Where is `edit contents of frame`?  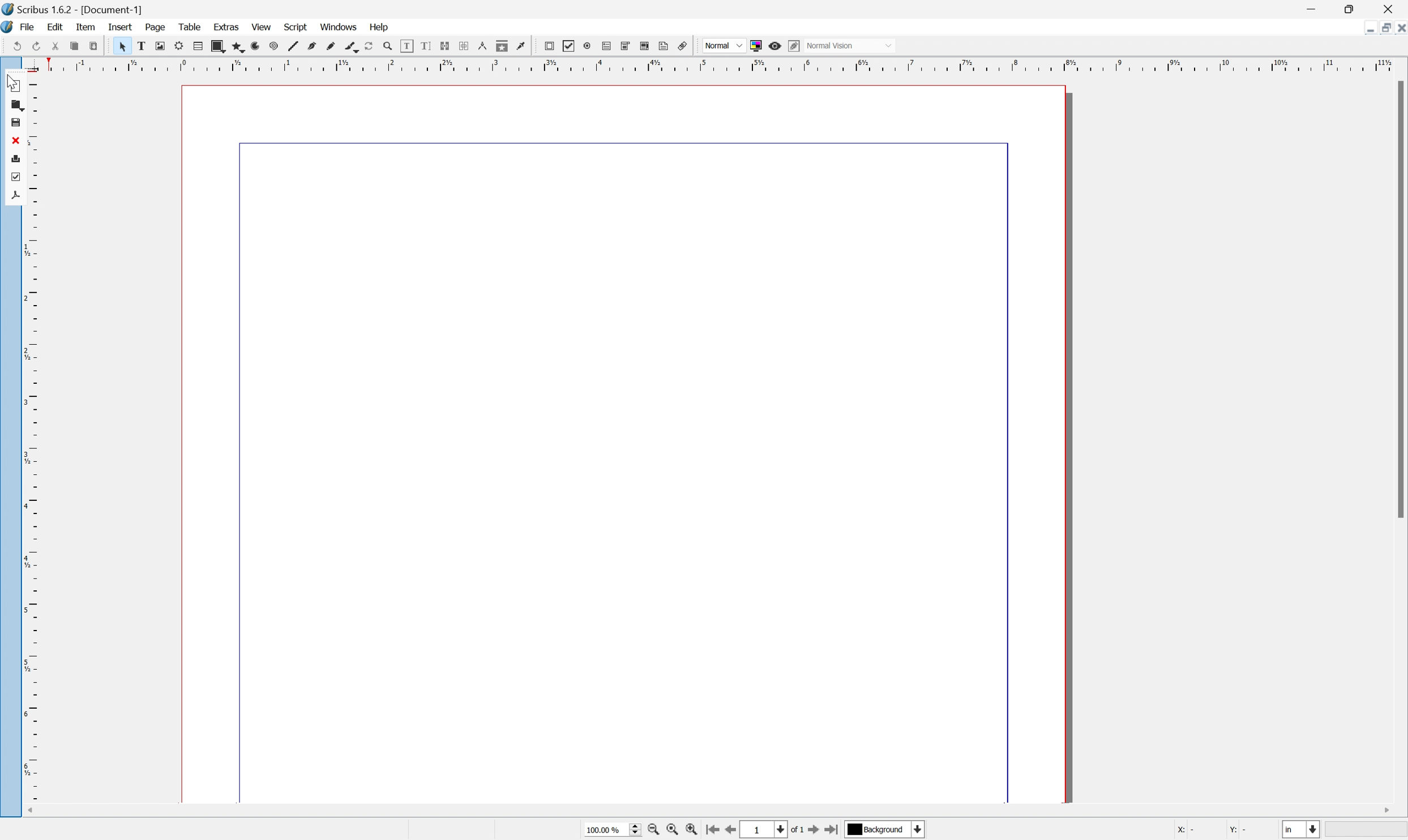
edit contents of frame is located at coordinates (548, 46).